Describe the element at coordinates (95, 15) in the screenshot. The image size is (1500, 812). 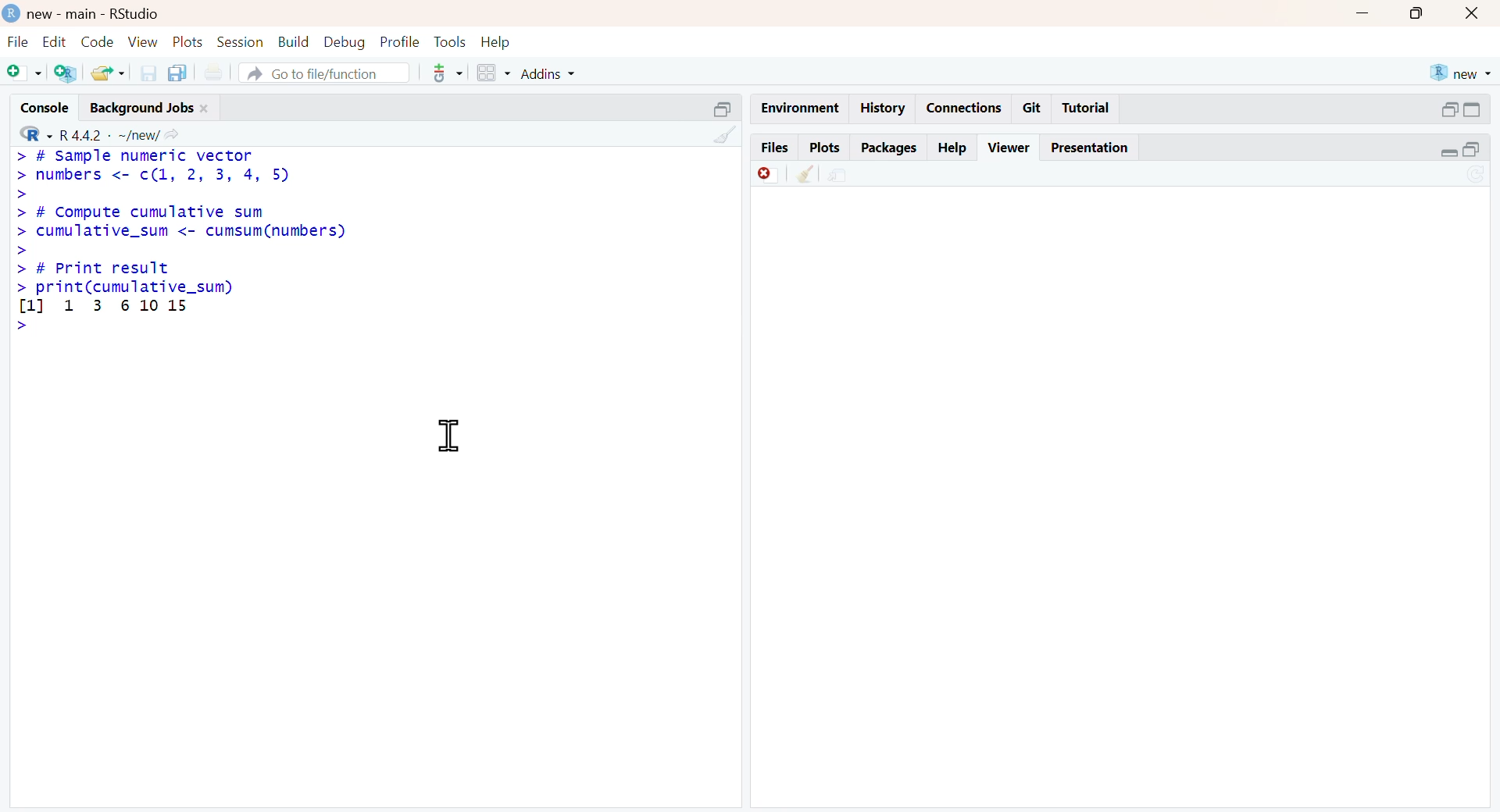
I see `new - main - RStudio` at that location.